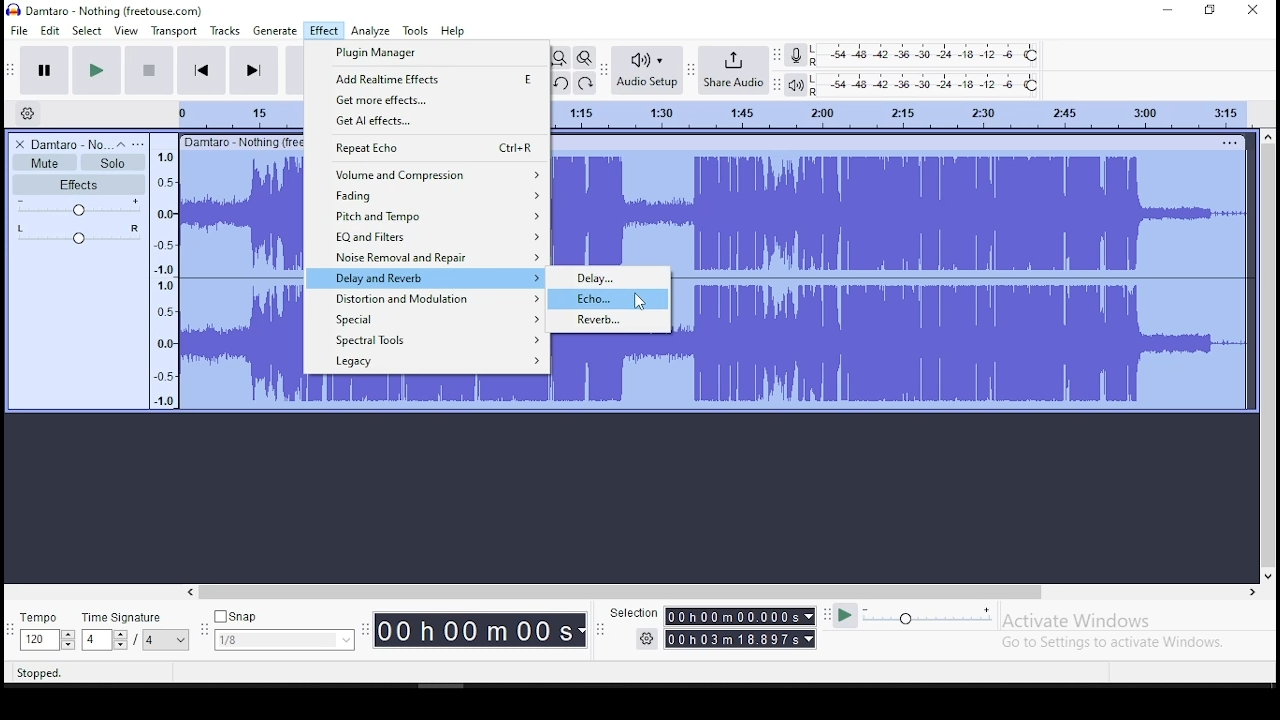 Image resolution: width=1280 pixels, height=720 pixels. Describe the element at coordinates (363, 632) in the screenshot. I see `` at that location.